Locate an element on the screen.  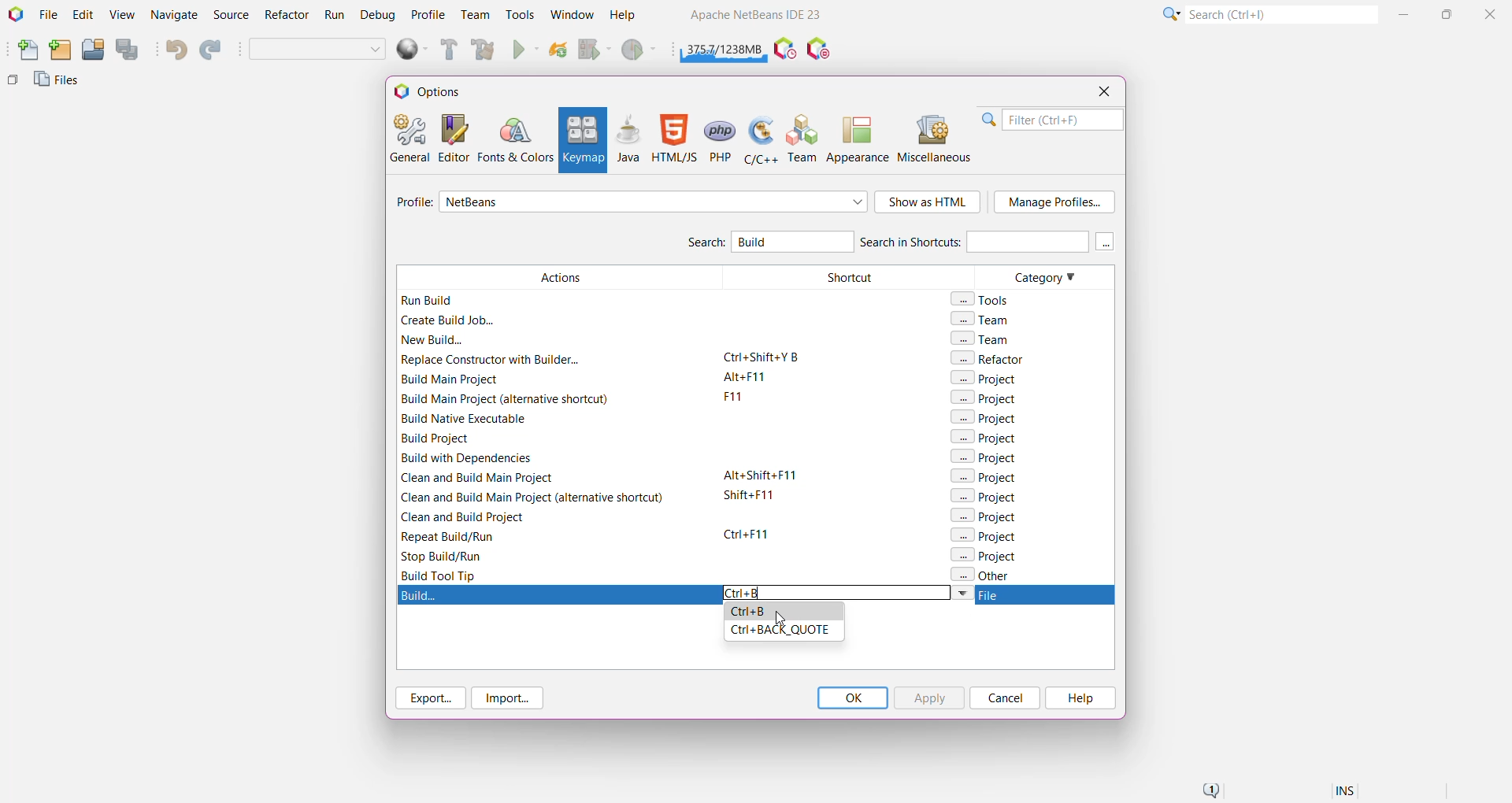
Save All is located at coordinates (128, 50).